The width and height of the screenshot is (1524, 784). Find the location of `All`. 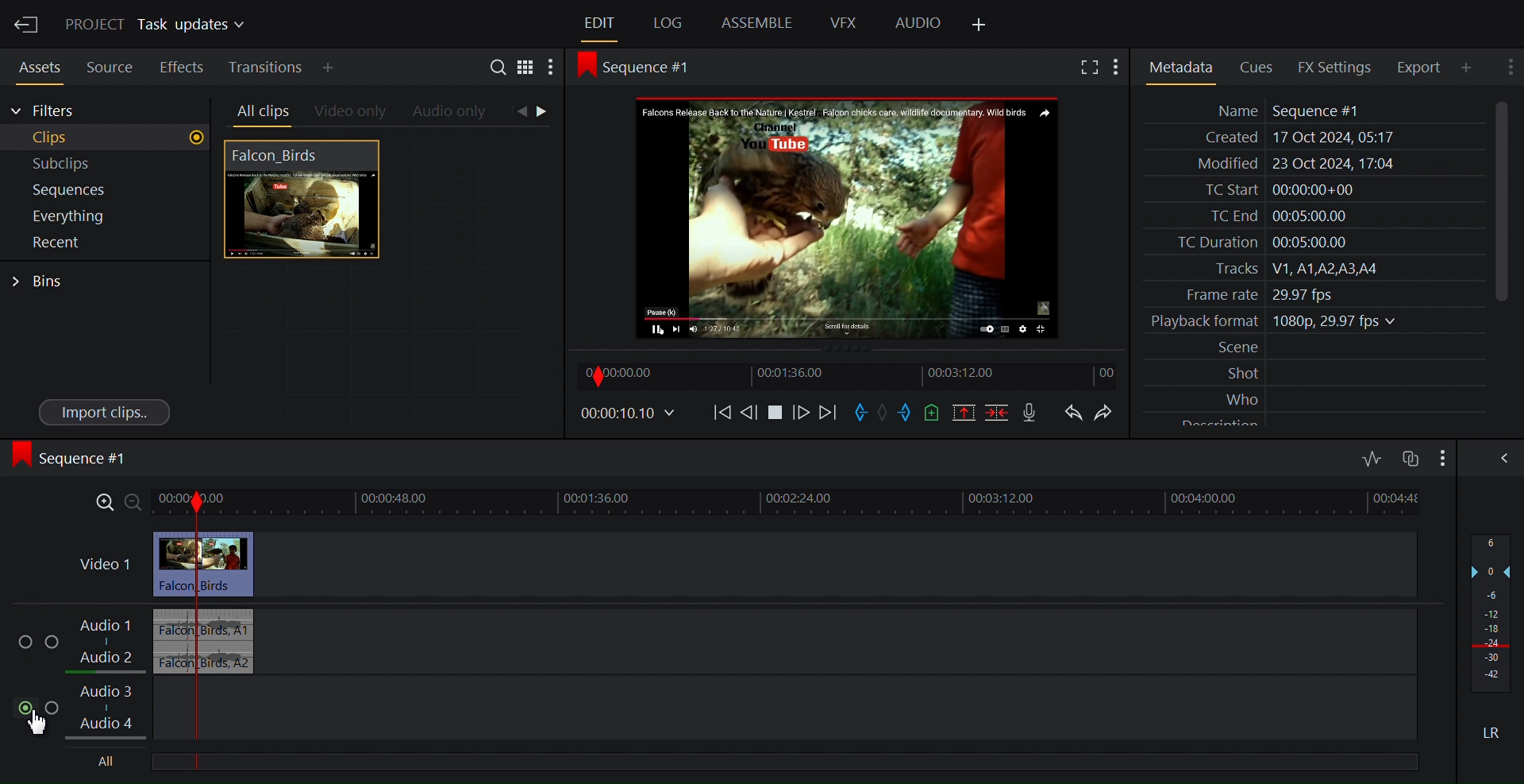

All is located at coordinates (108, 762).